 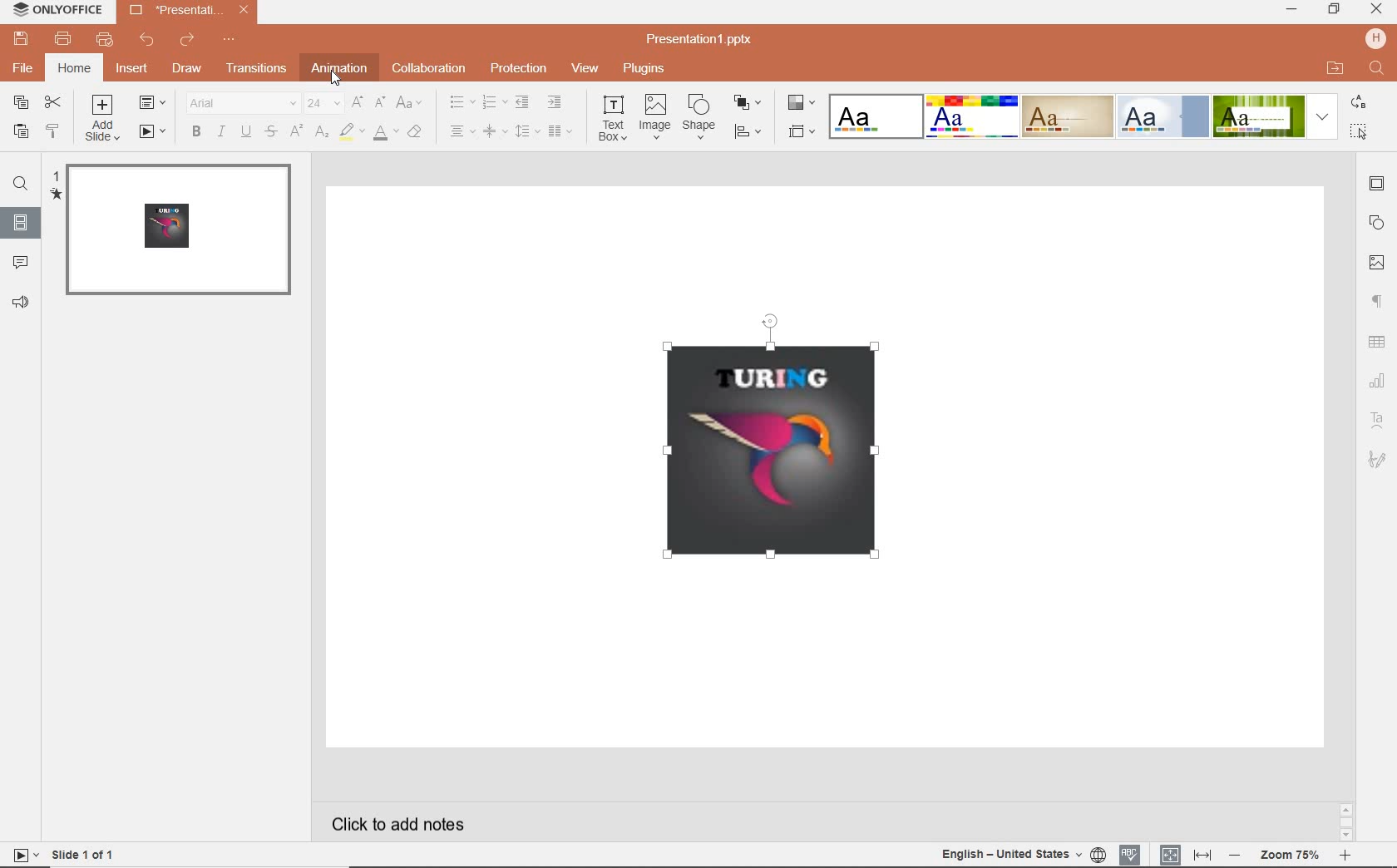 I want to click on click to add notes, so click(x=404, y=821).